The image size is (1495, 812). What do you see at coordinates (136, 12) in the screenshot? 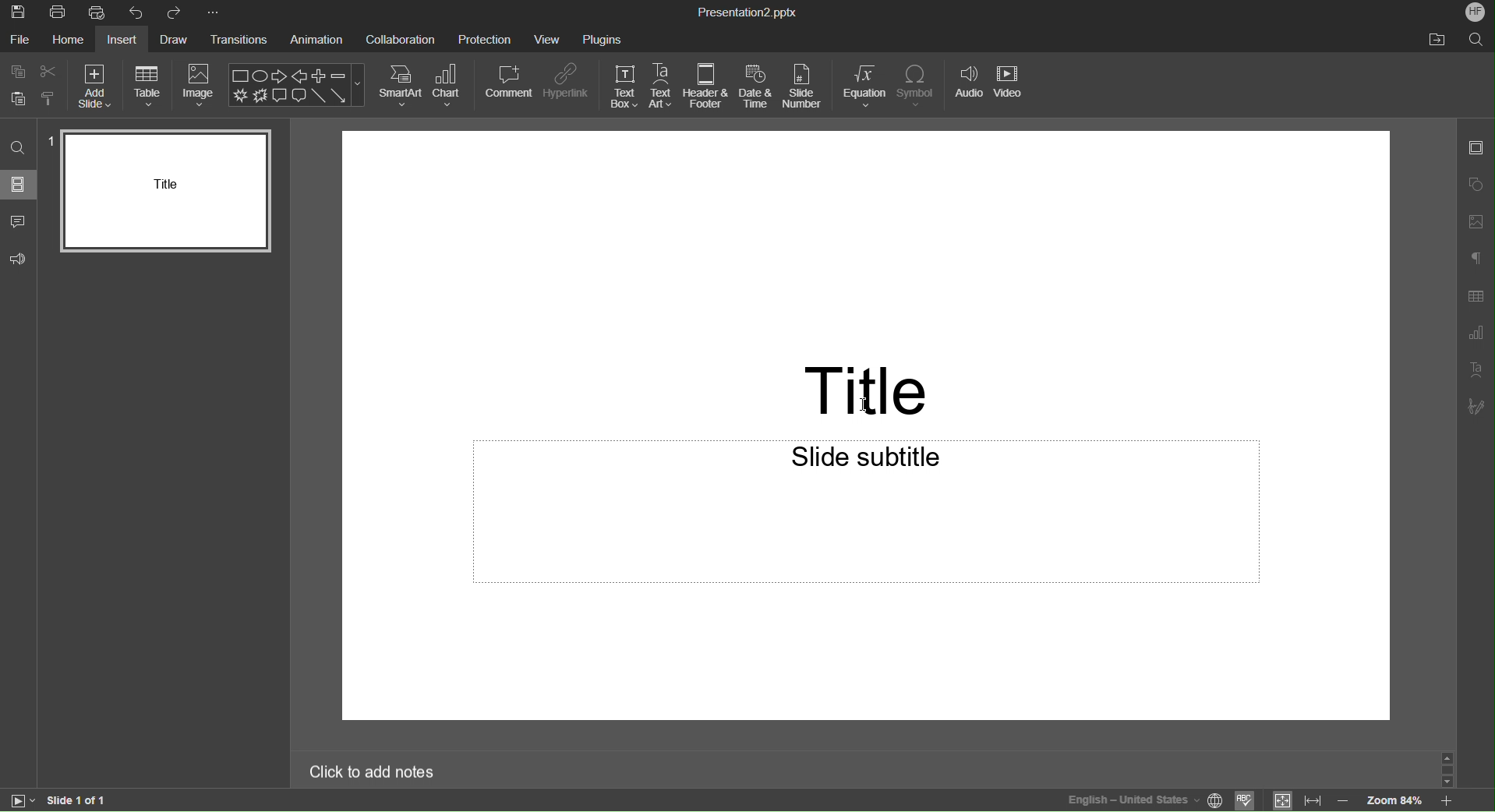
I see `Undo` at bounding box center [136, 12].